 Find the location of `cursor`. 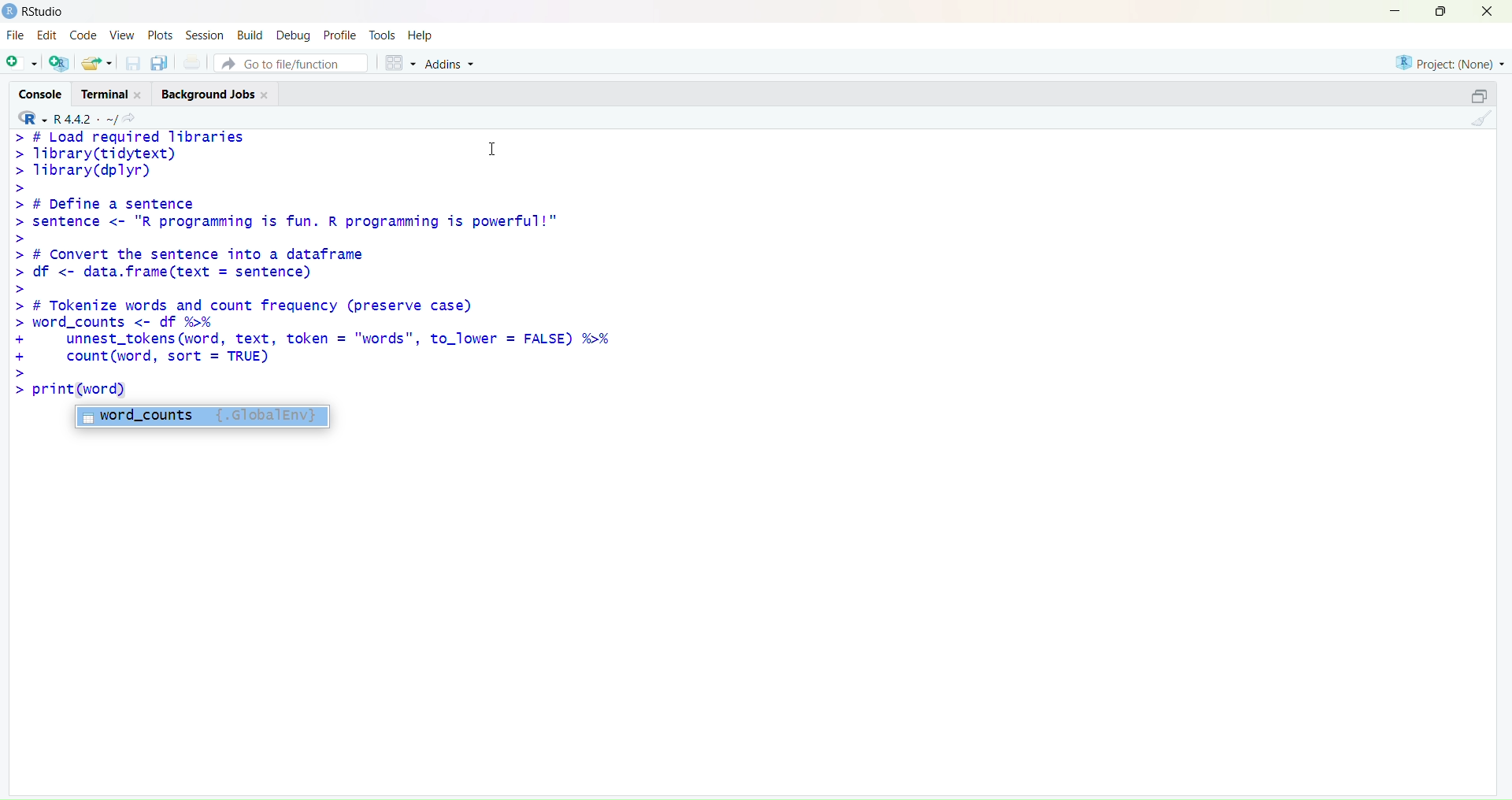

cursor is located at coordinates (494, 150).